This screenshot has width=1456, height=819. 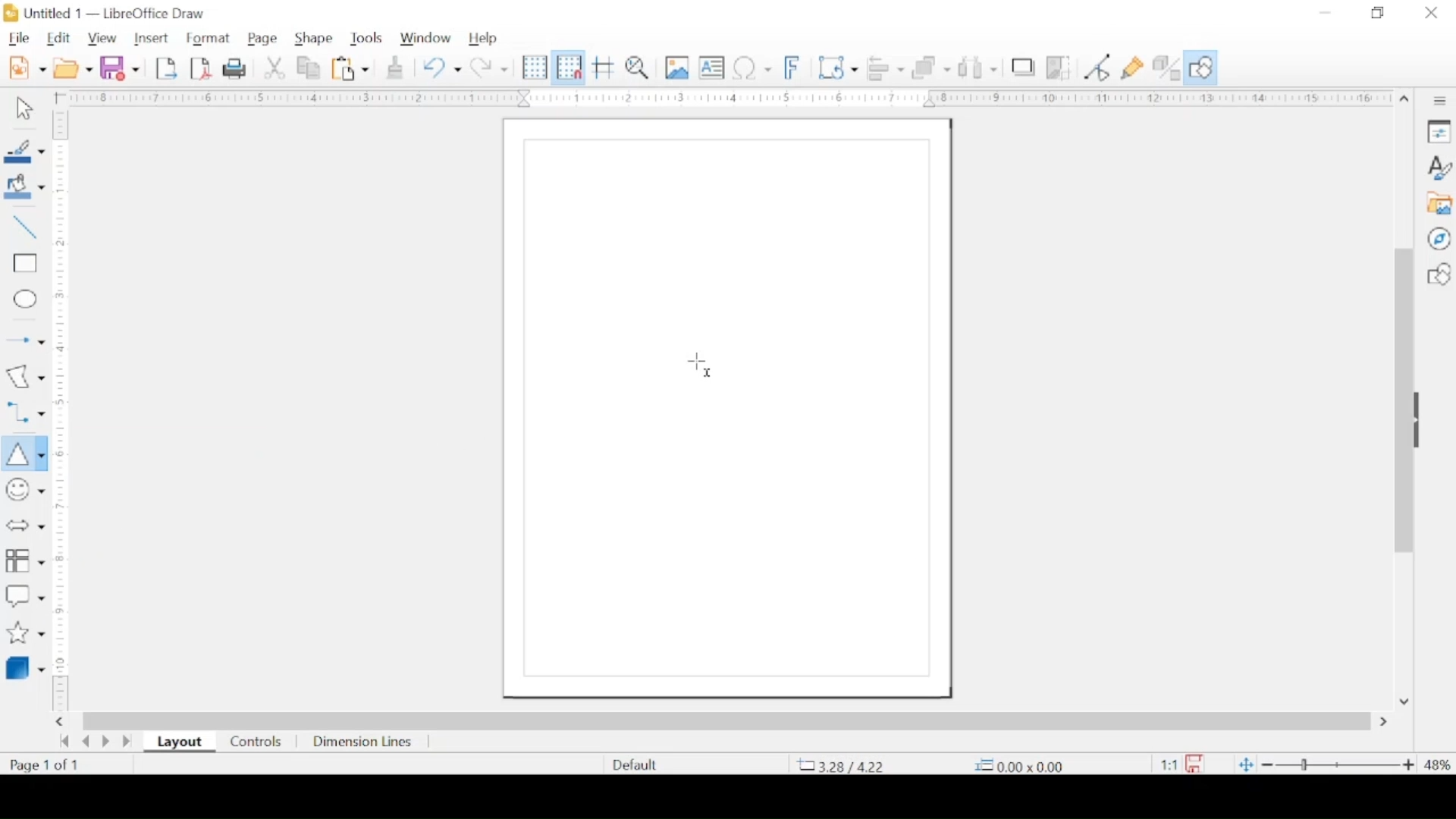 I want to click on clone formatting, so click(x=395, y=67).